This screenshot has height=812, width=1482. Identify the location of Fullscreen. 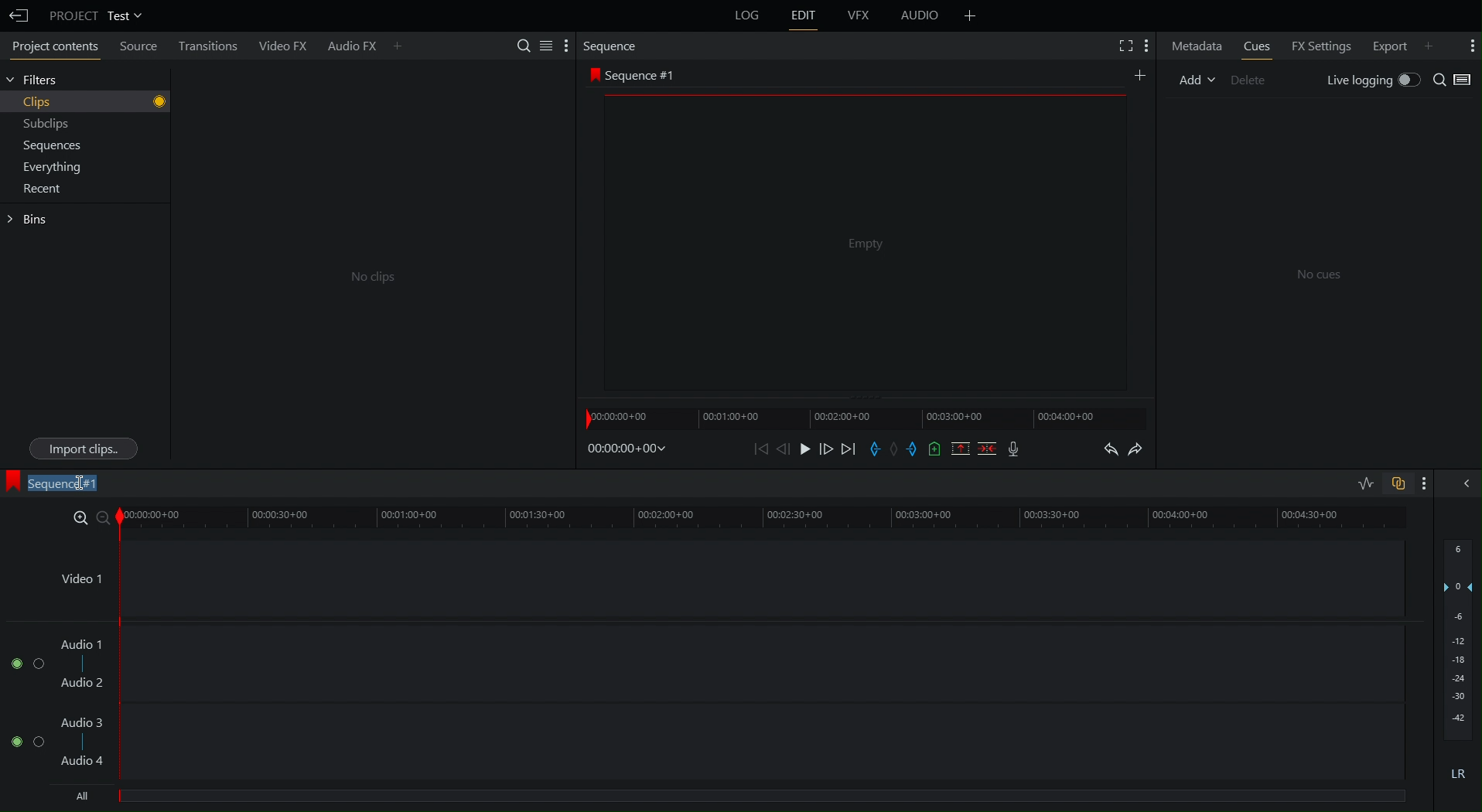
(1119, 44).